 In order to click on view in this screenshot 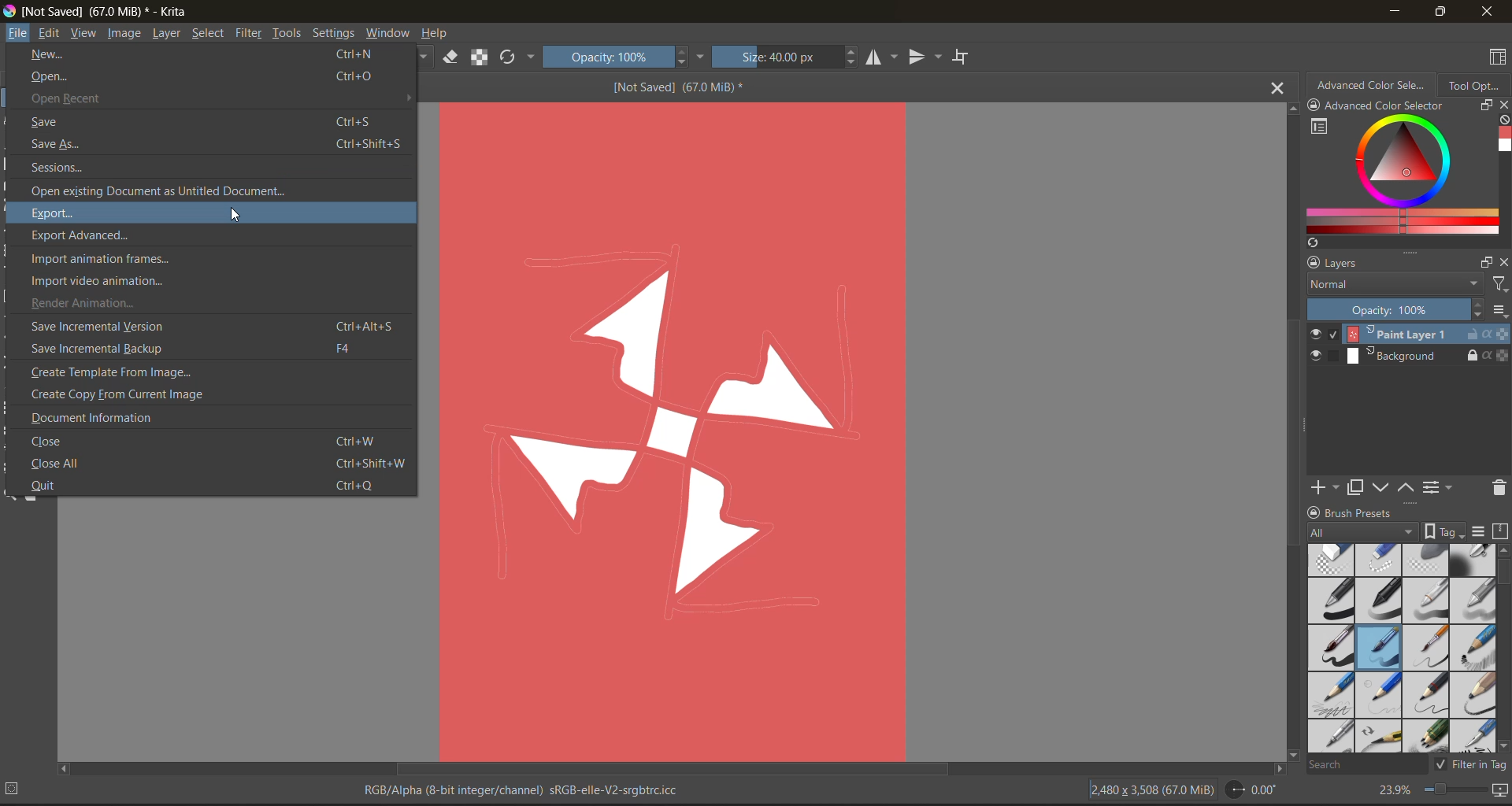, I will do `click(83, 33)`.